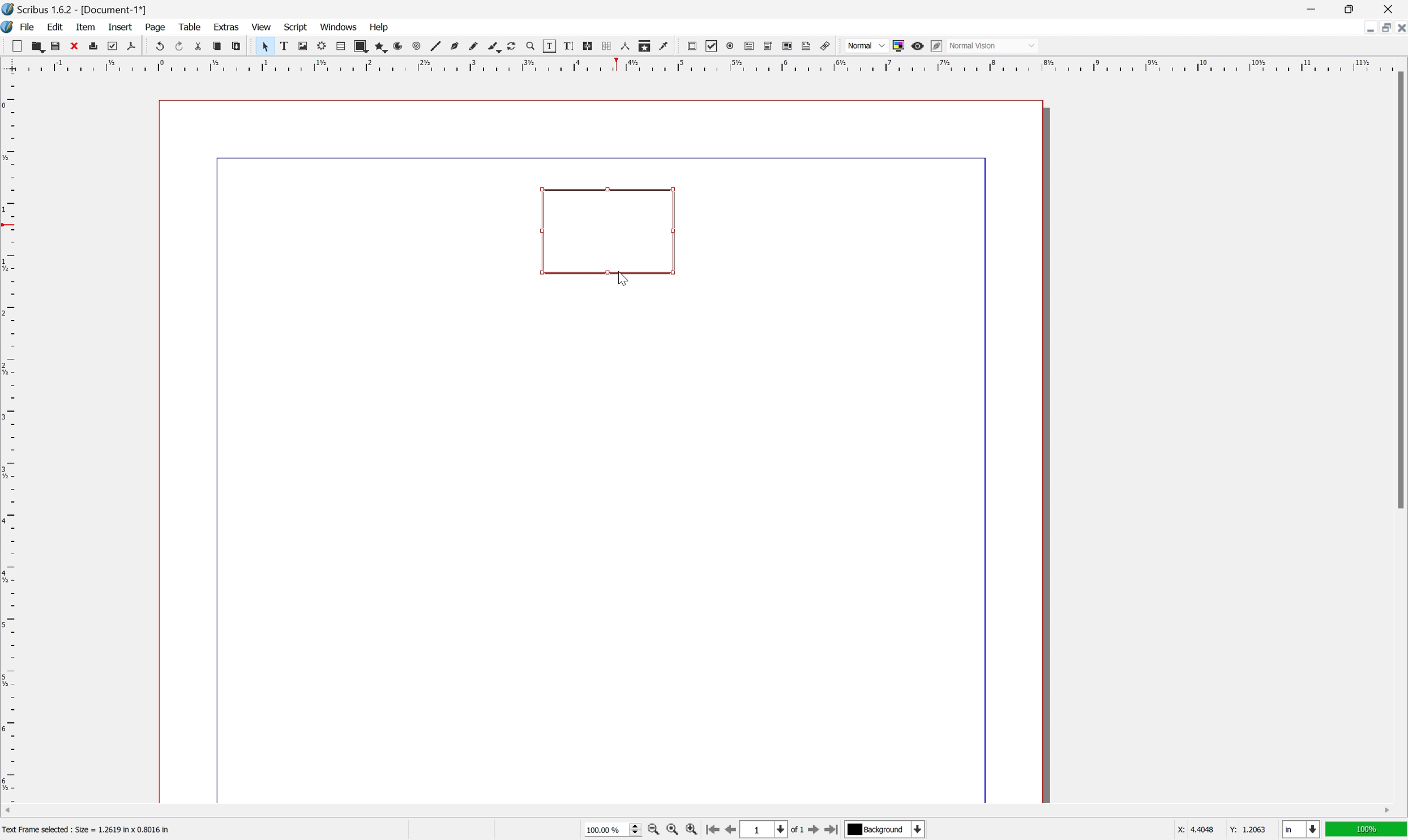 The image size is (1408, 840). I want to click on pdf radio button, so click(730, 46).